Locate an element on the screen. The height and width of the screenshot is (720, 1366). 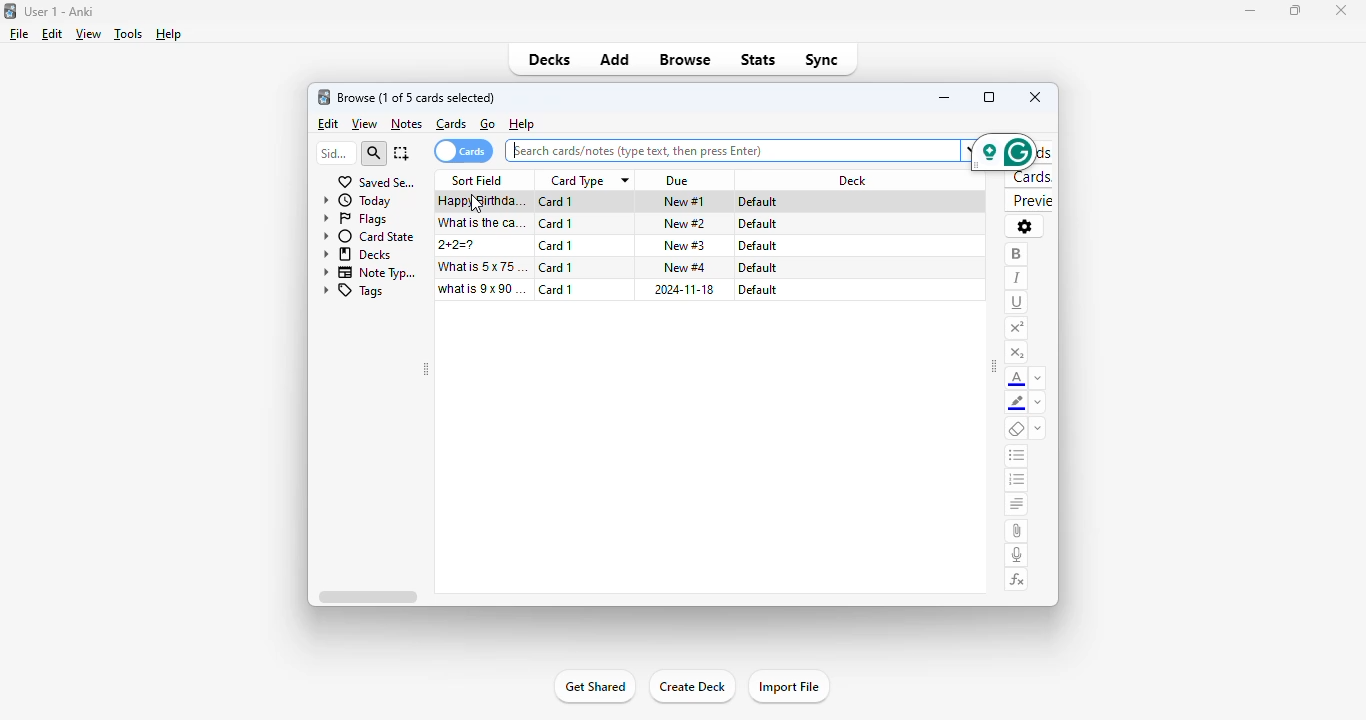
new #4 is located at coordinates (685, 266).